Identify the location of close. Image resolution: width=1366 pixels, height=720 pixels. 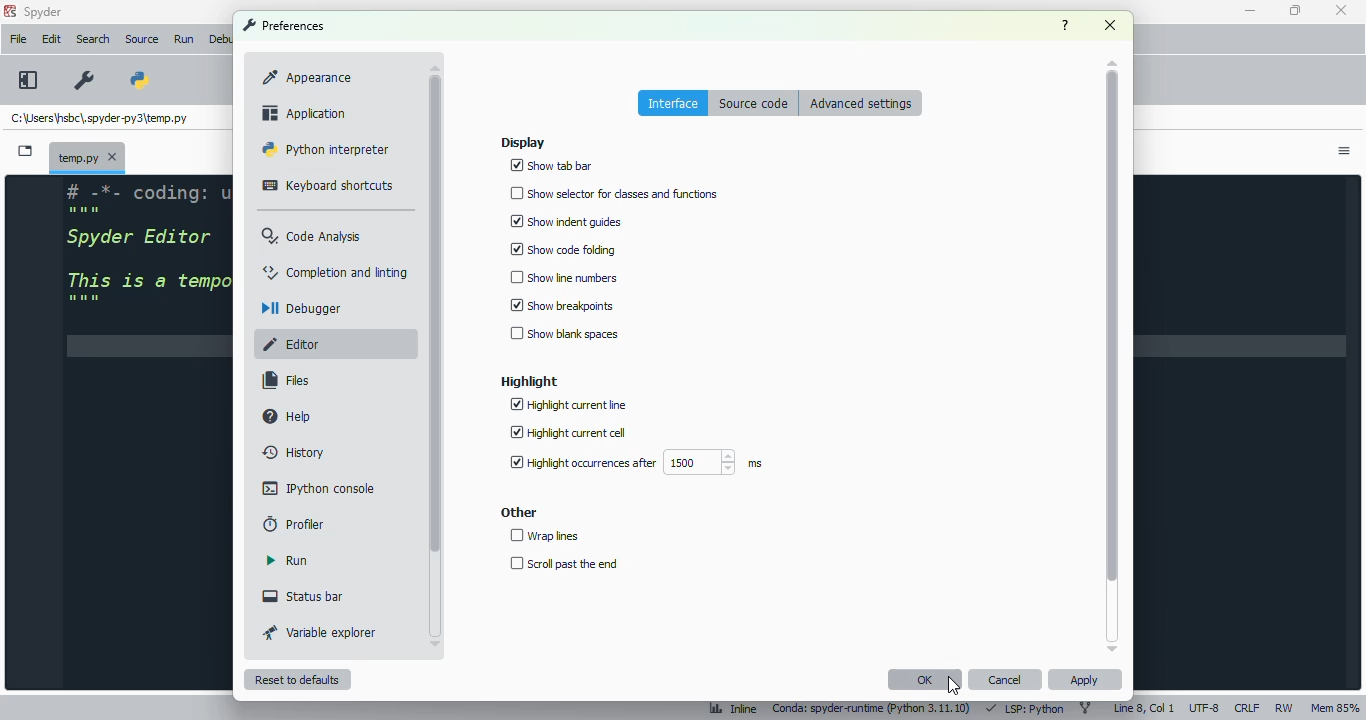
(1342, 10).